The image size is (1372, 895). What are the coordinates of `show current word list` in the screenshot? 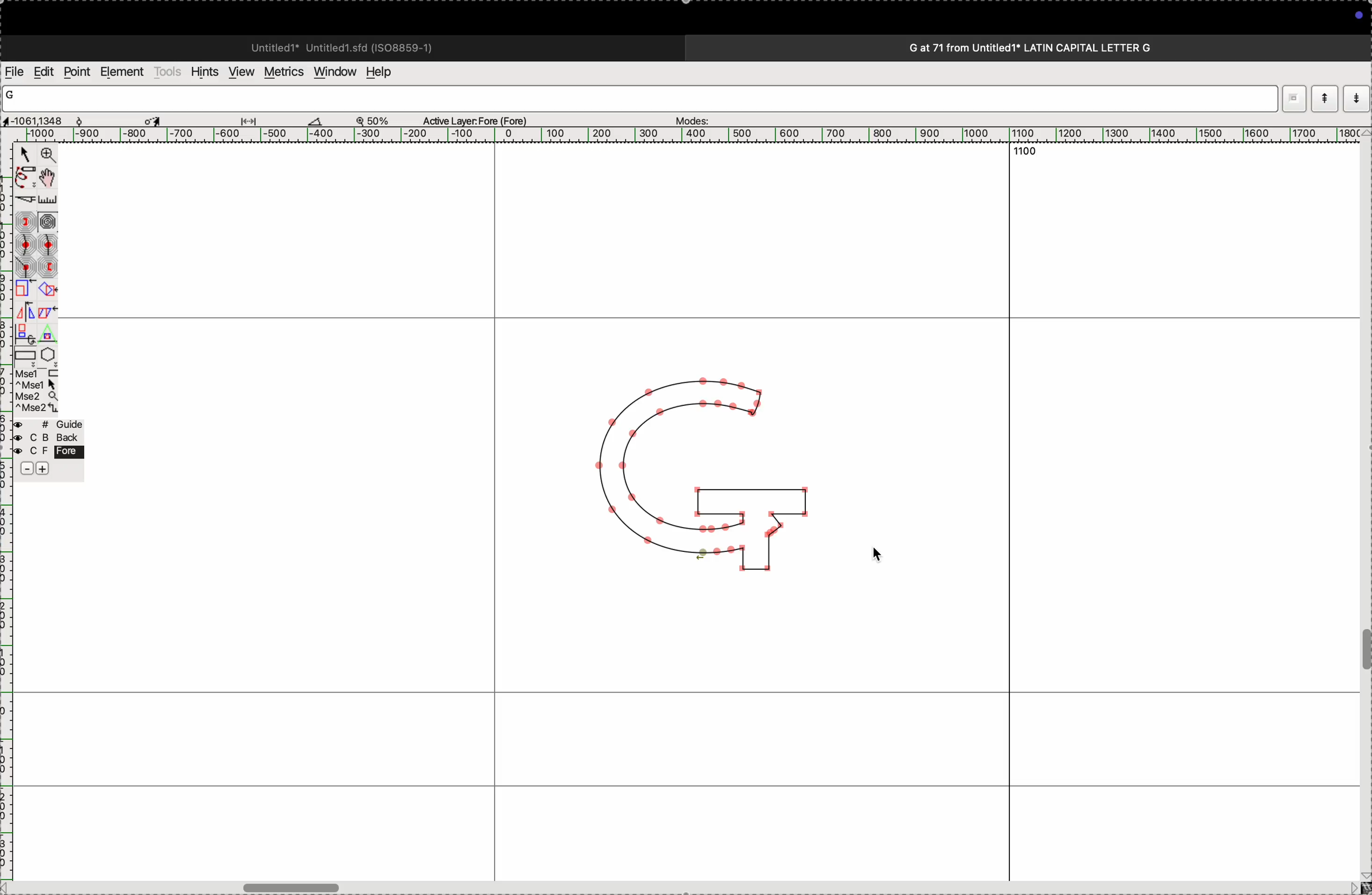 It's located at (1325, 98).